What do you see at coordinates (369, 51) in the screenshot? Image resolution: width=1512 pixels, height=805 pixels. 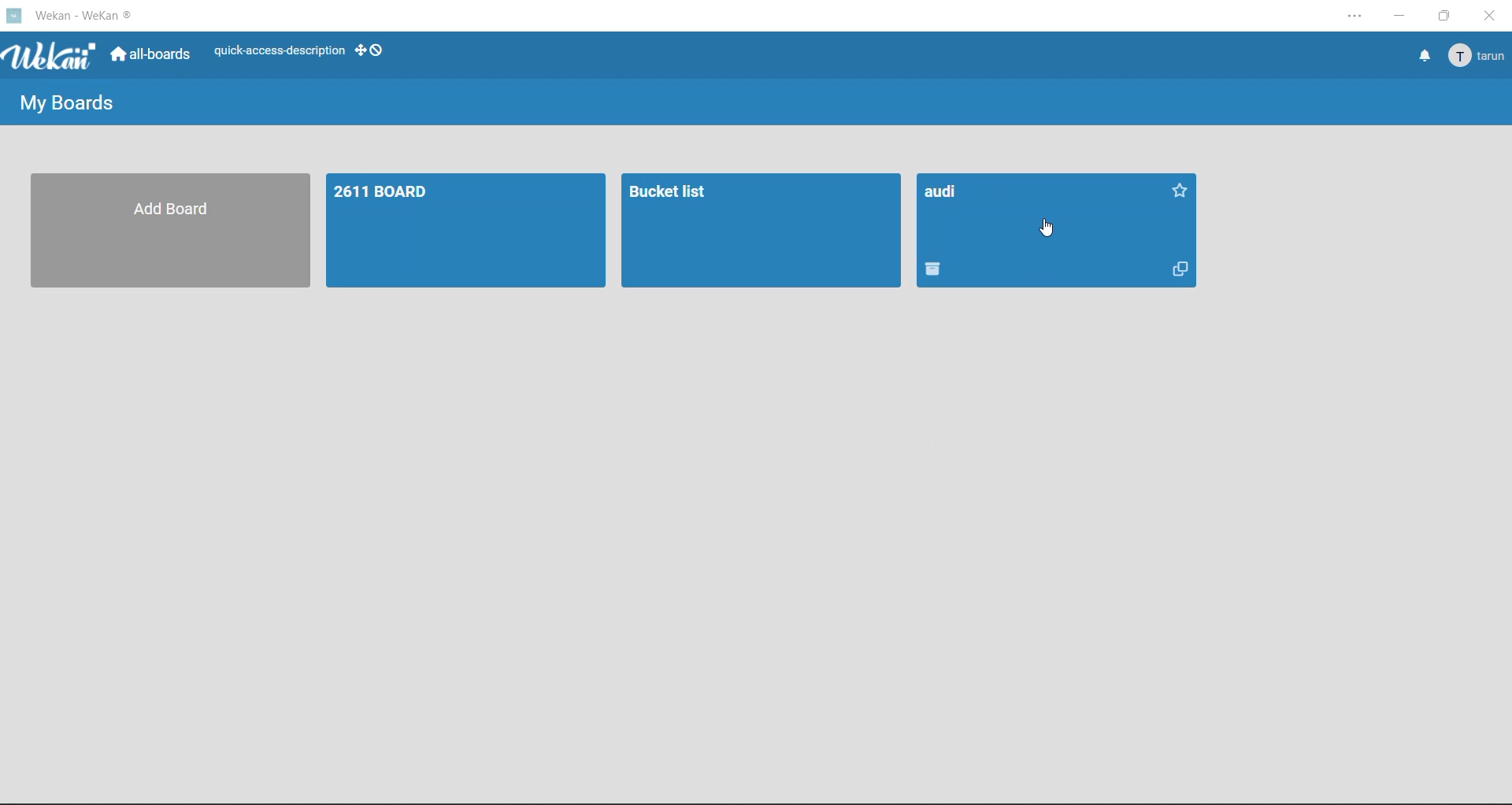 I see `show desktop drag handles` at bounding box center [369, 51].